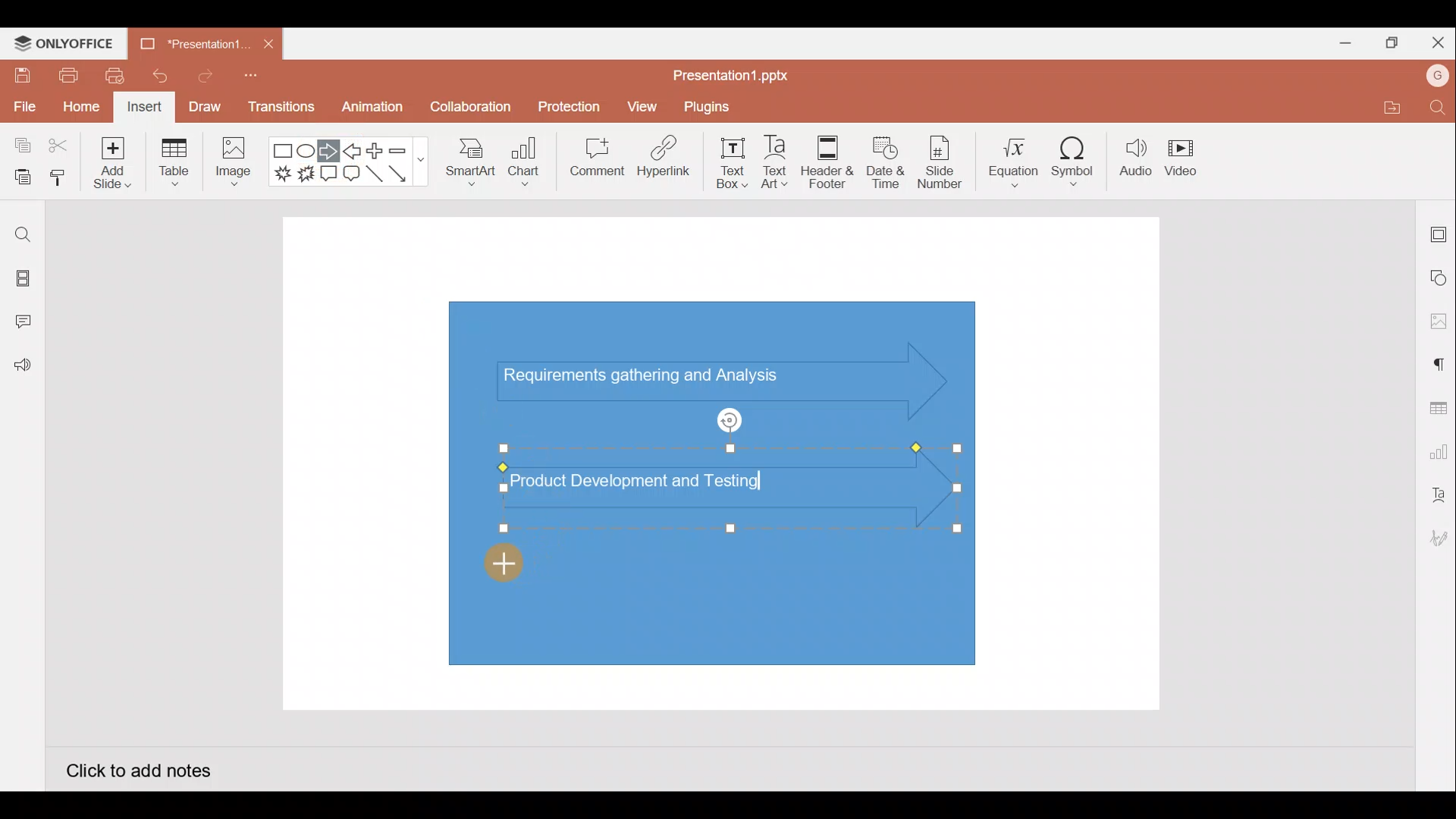 This screenshot has height=819, width=1456. Describe the element at coordinates (284, 152) in the screenshot. I see `Rectangle` at that location.